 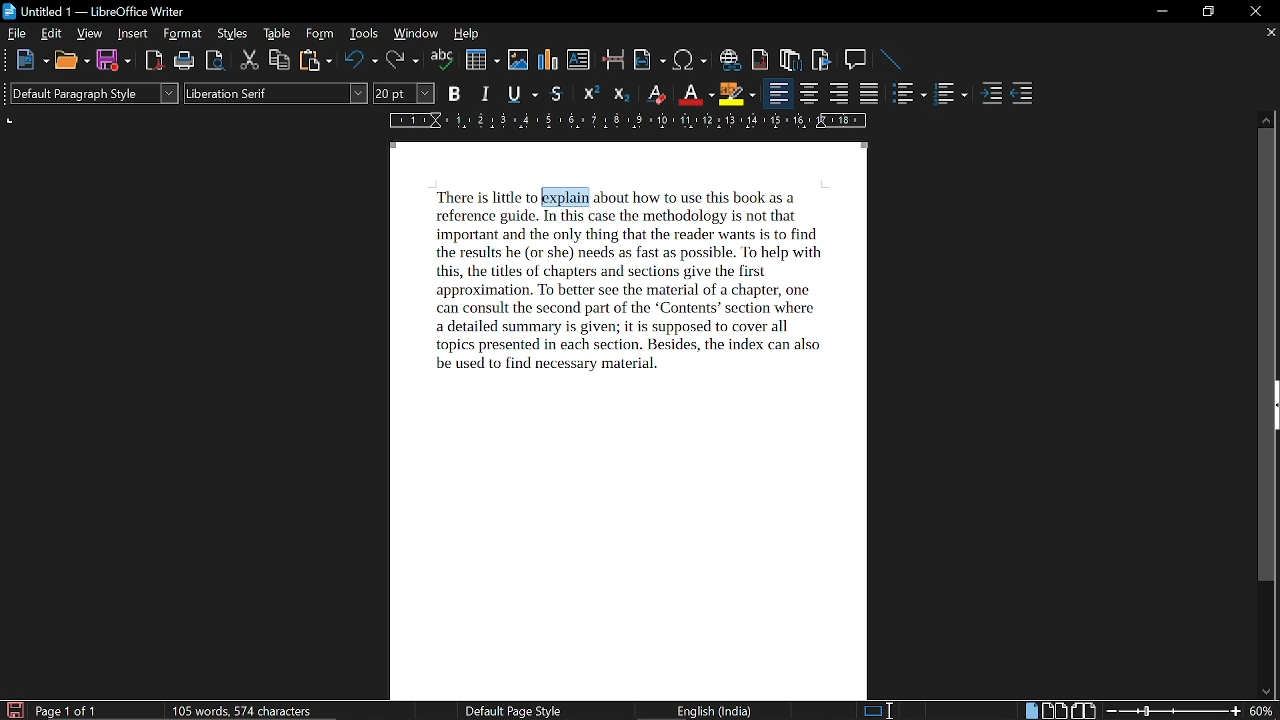 I want to click on table, so click(x=276, y=34).